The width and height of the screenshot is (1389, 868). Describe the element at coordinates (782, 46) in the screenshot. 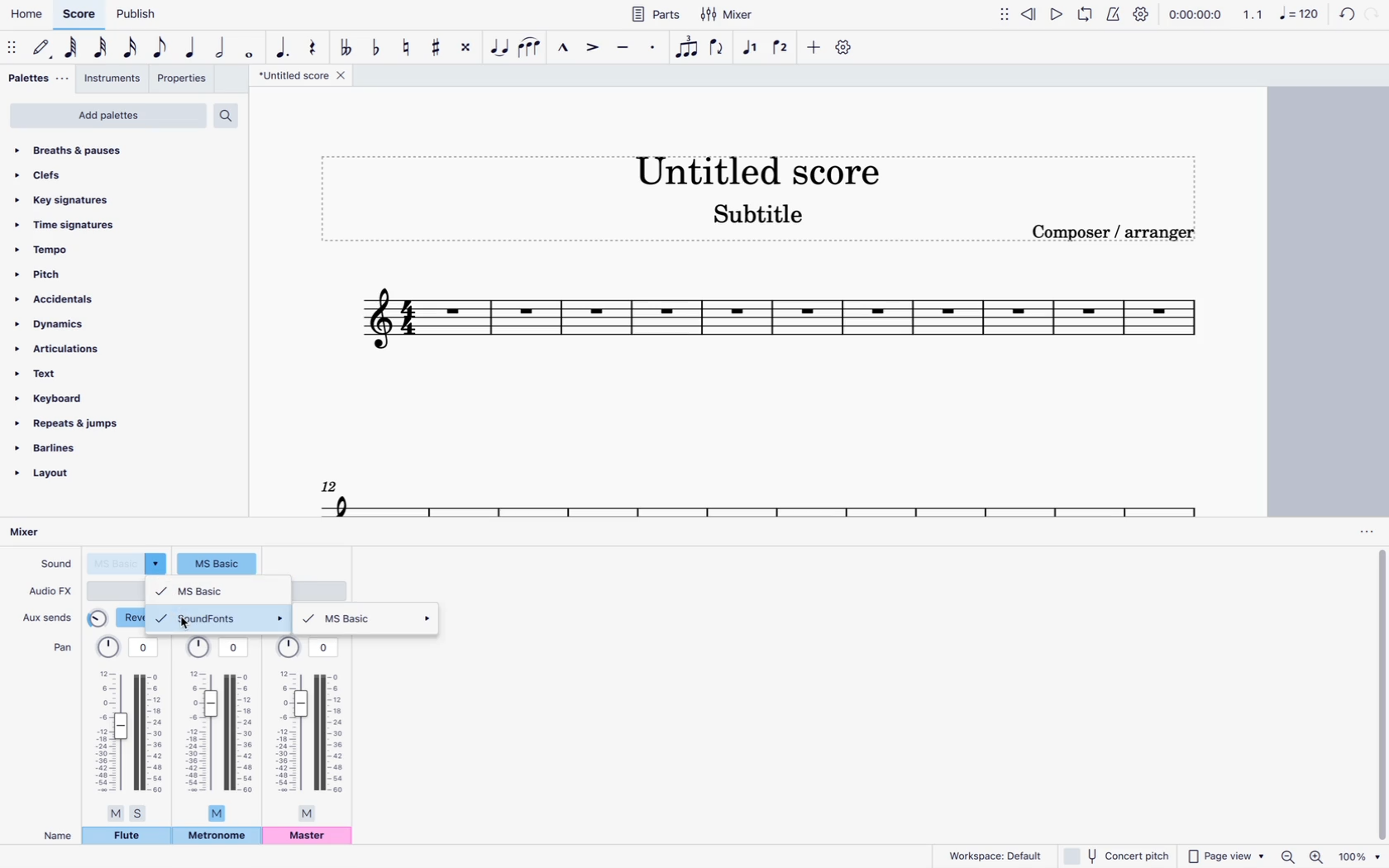

I see `voice 2` at that location.